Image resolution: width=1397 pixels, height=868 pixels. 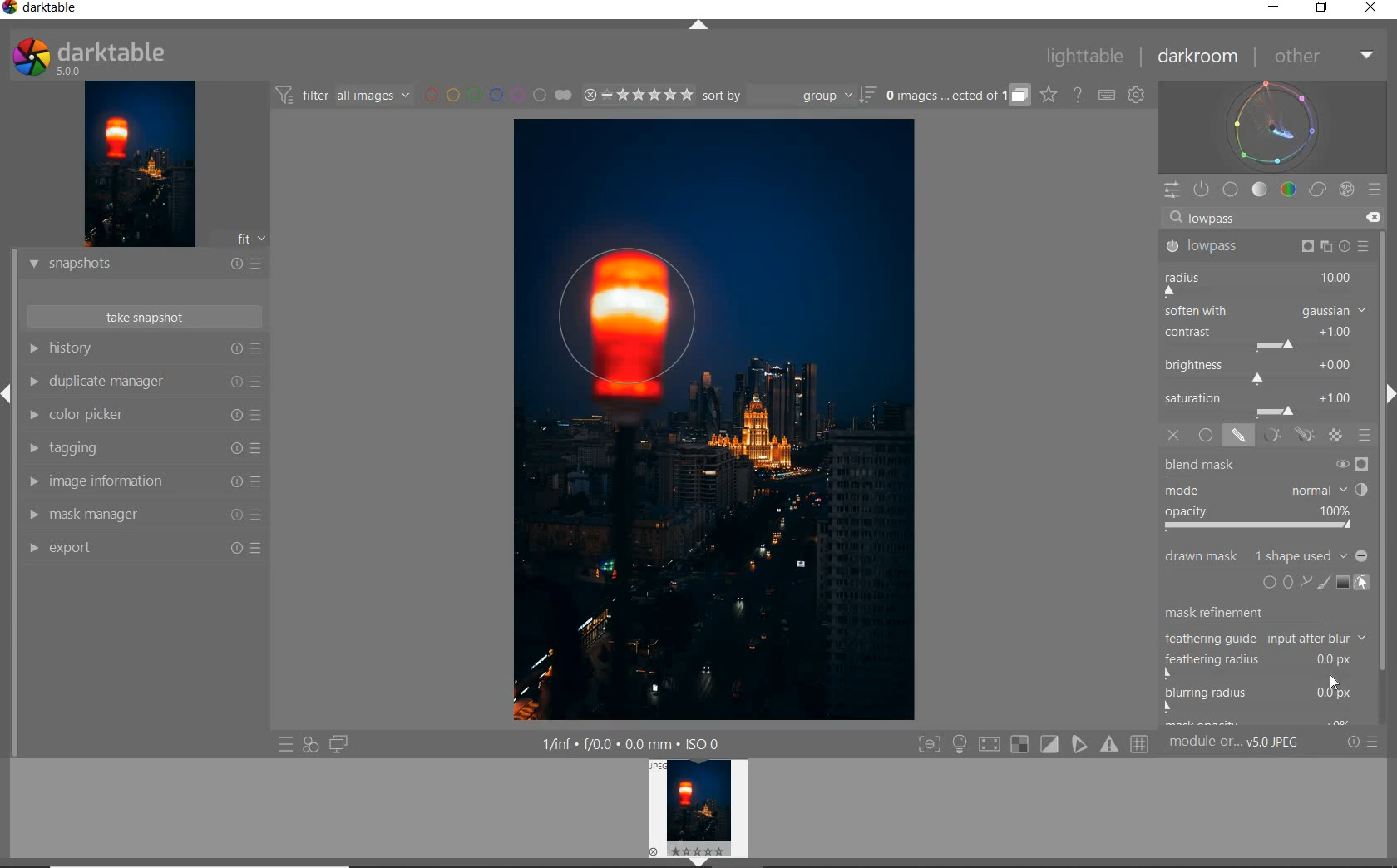 What do you see at coordinates (632, 742) in the screenshot?
I see `DISPLAYED GUI INFO` at bounding box center [632, 742].